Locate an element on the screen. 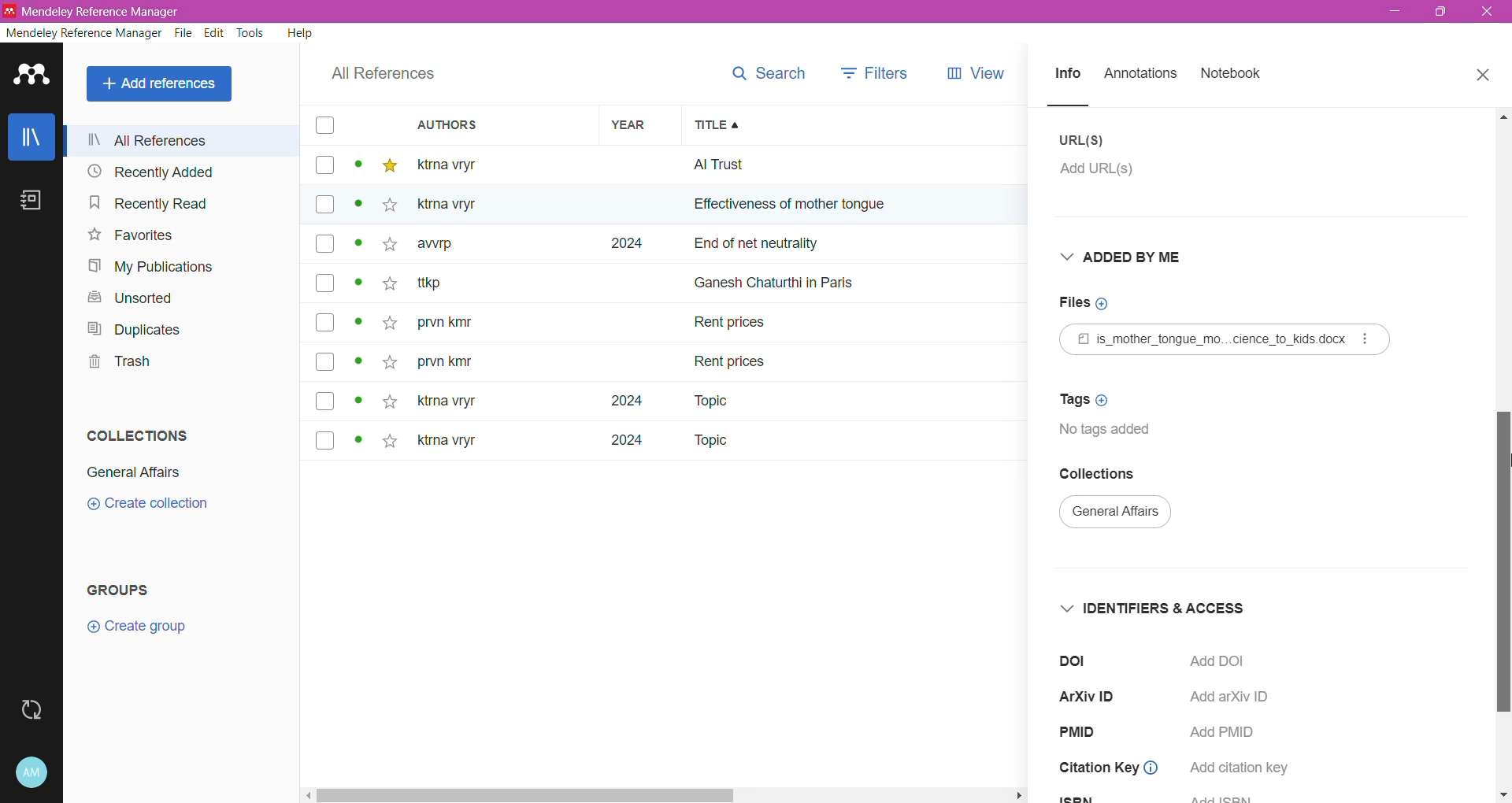  star is located at coordinates (384, 250).